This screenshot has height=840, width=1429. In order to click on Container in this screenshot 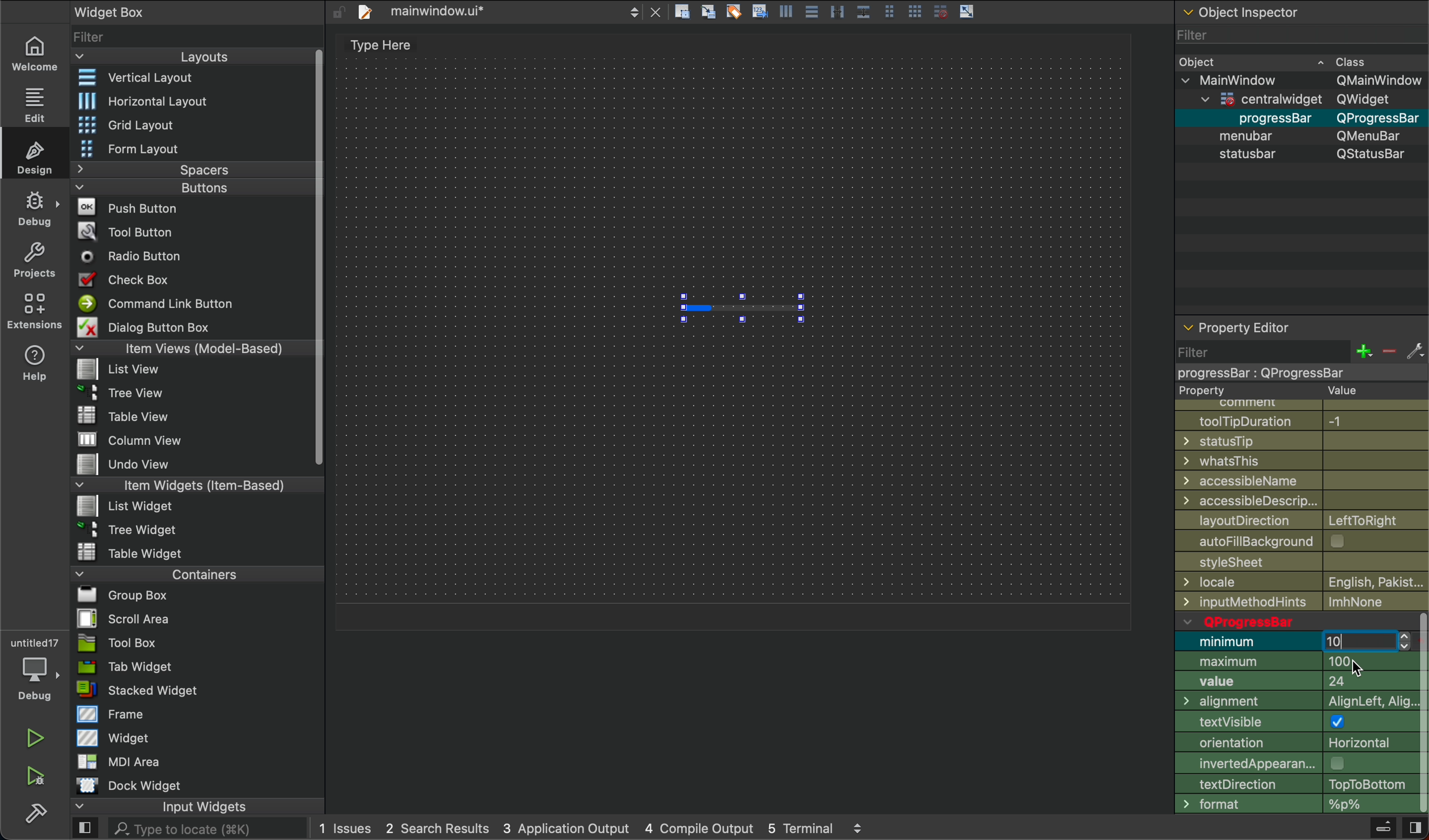, I will do `click(168, 573)`.